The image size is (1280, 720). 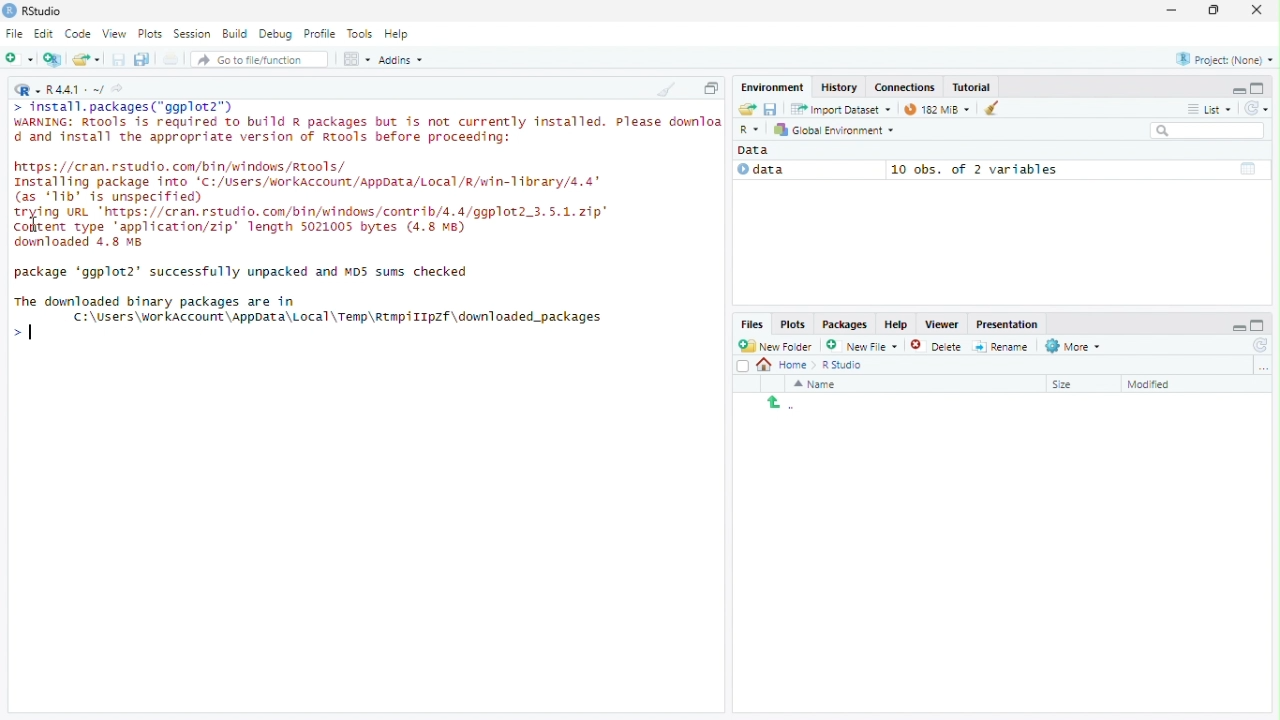 I want to click on workspace panes, so click(x=357, y=59).